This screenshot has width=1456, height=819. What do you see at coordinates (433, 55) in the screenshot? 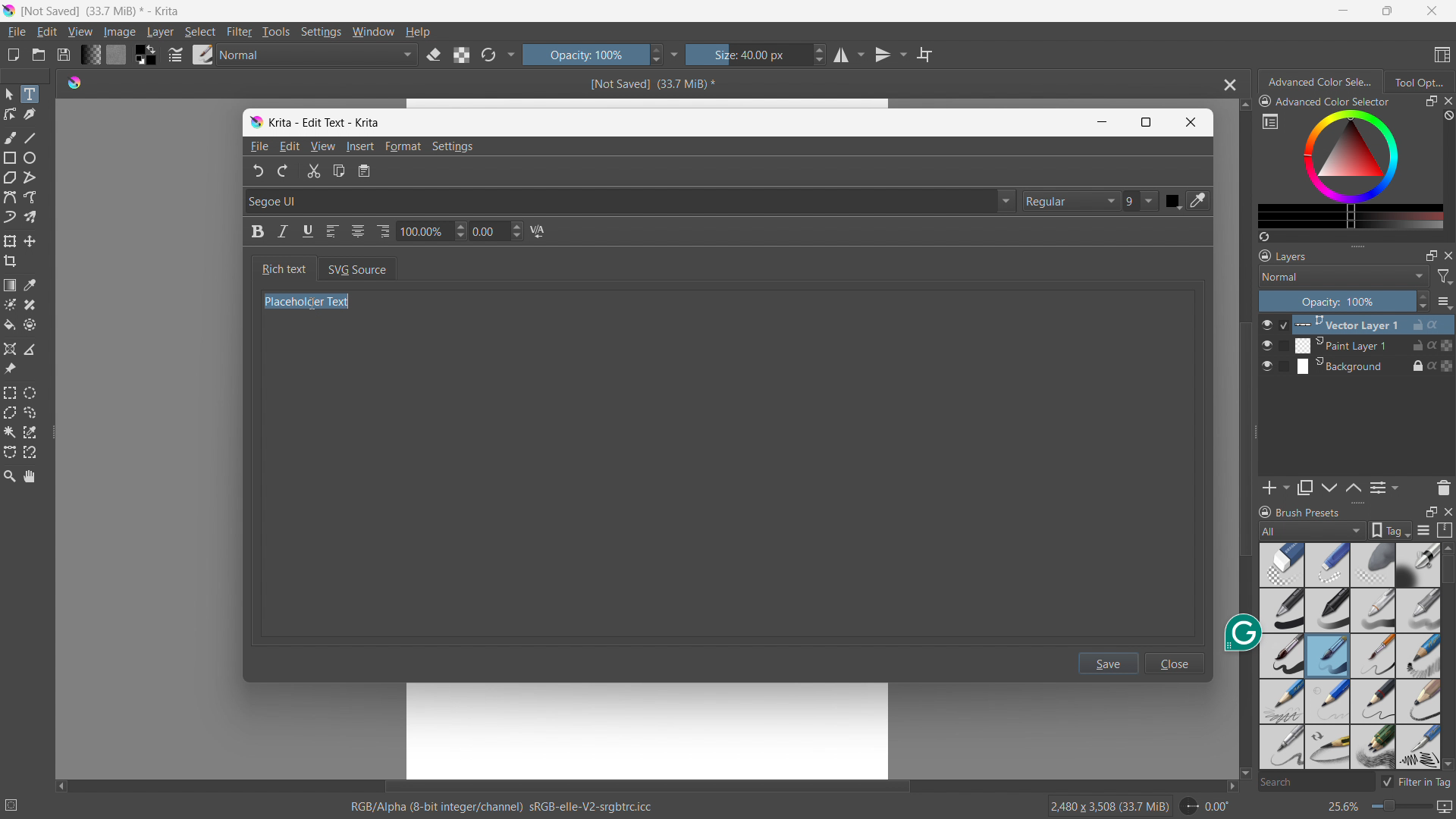
I see `set erasor` at bounding box center [433, 55].